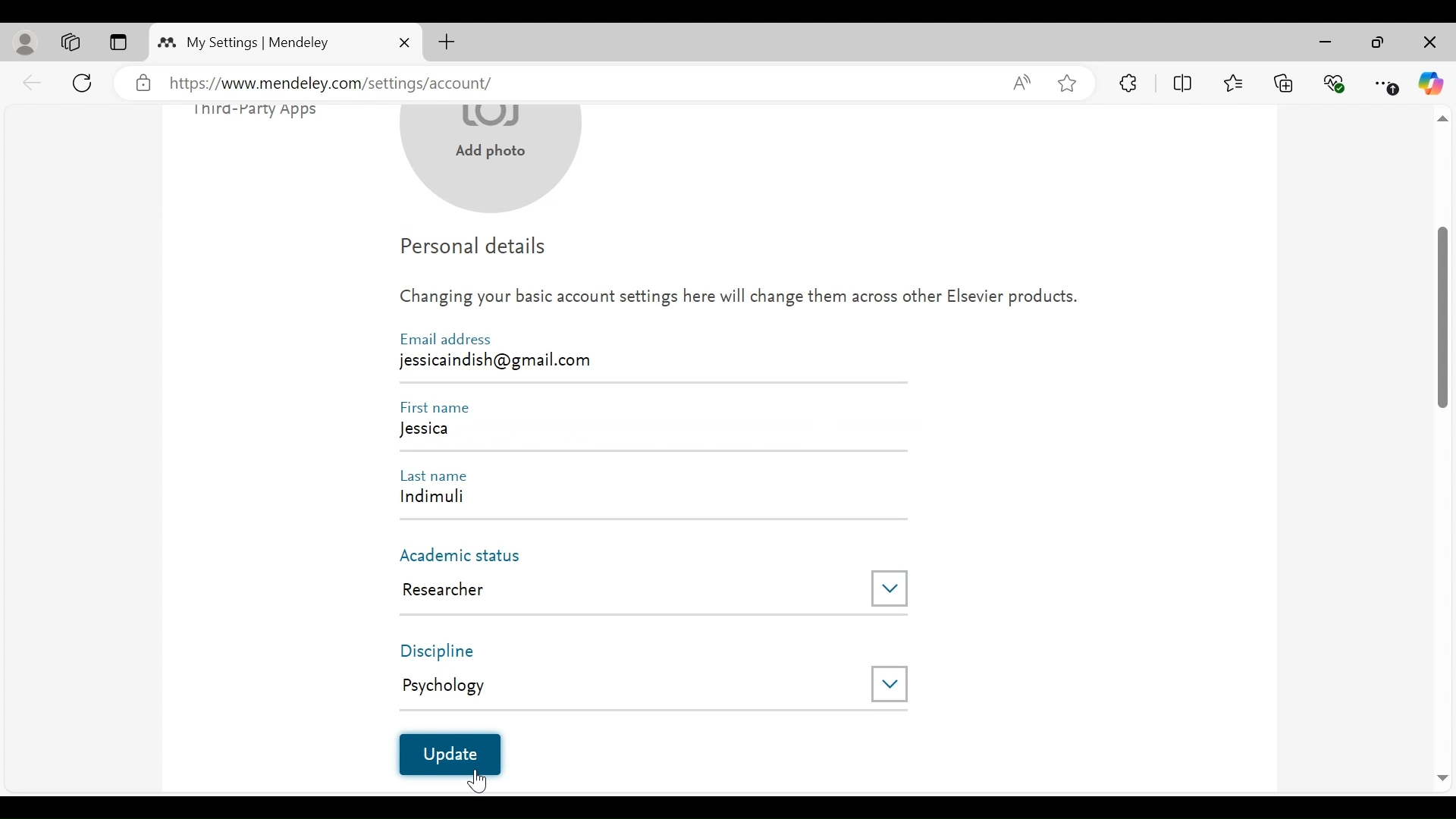 This screenshot has height=819, width=1456. What do you see at coordinates (1066, 83) in the screenshot?
I see `Add this page to Favorites` at bounding box center [1066, 83].